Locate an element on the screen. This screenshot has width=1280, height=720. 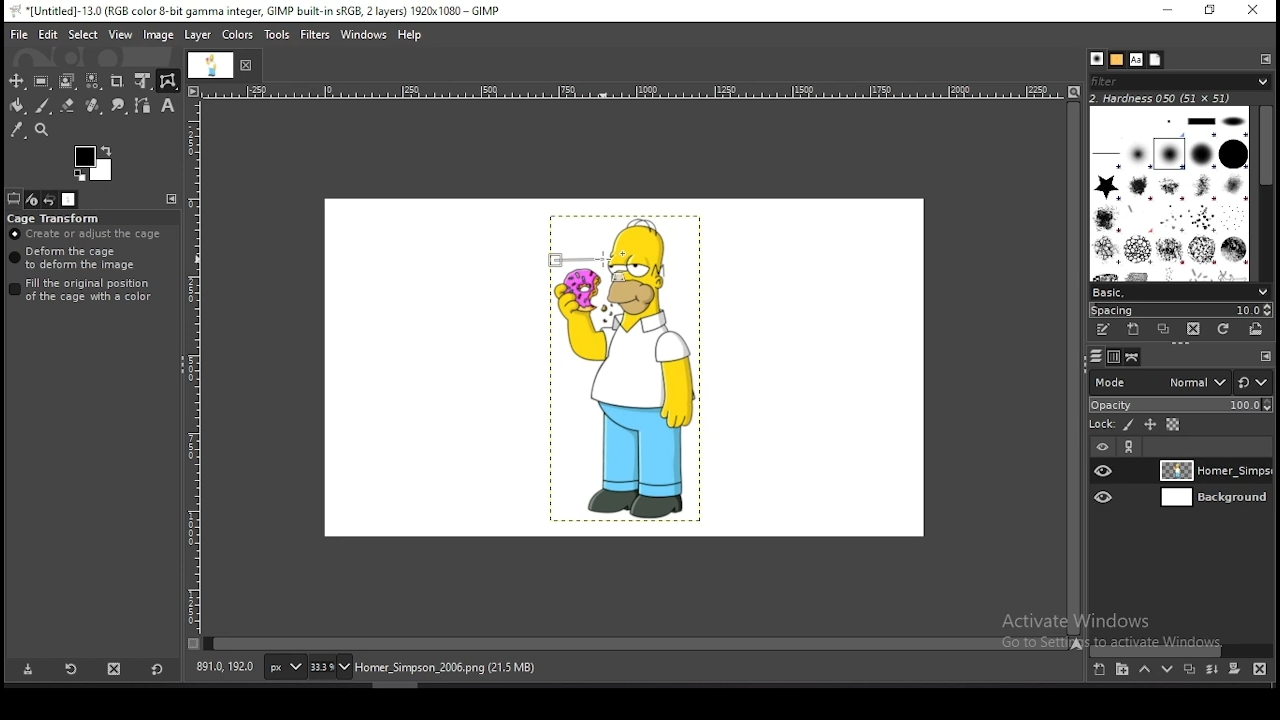
document tab is located at coordinates (213, 66).